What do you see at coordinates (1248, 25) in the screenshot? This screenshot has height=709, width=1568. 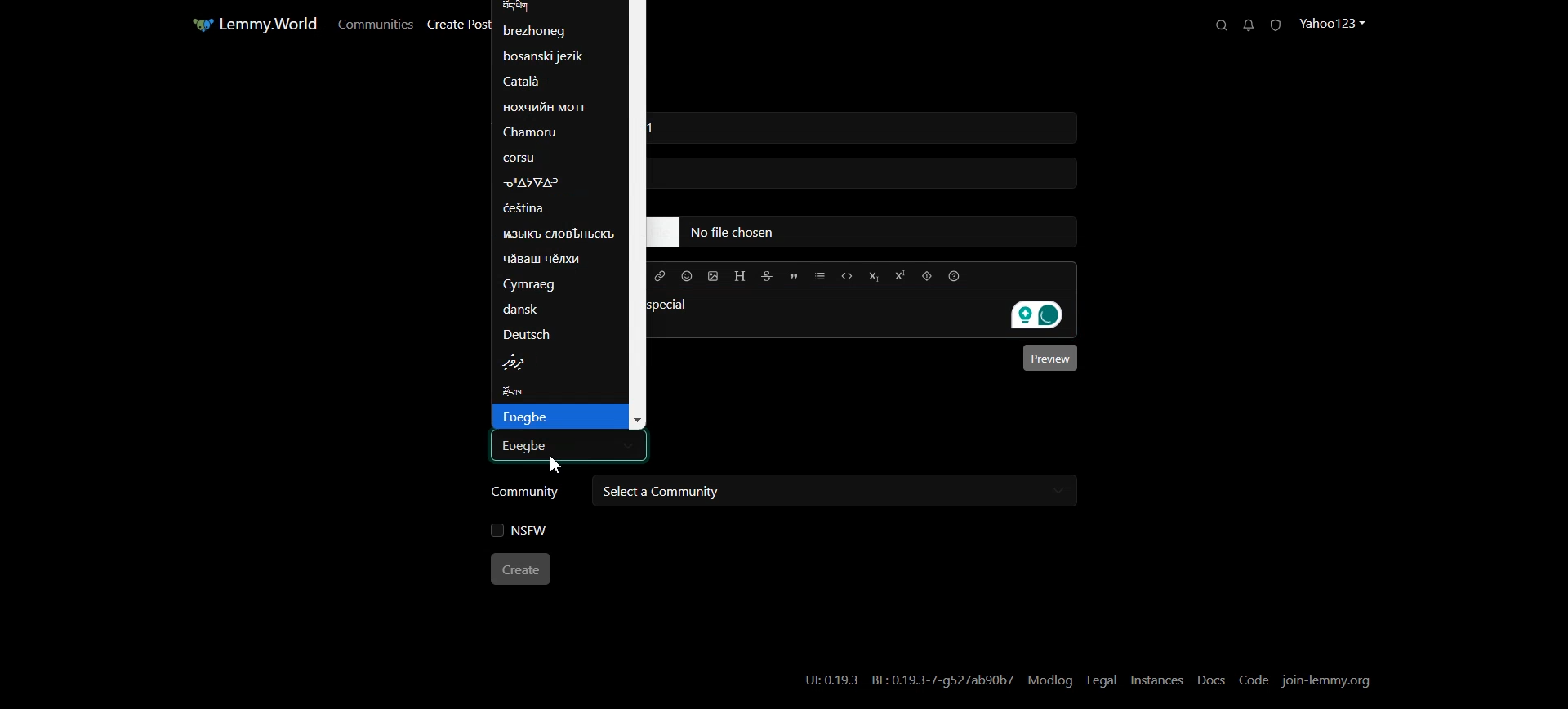 I see `Unread Messages` at bounding box center [1248, 25].